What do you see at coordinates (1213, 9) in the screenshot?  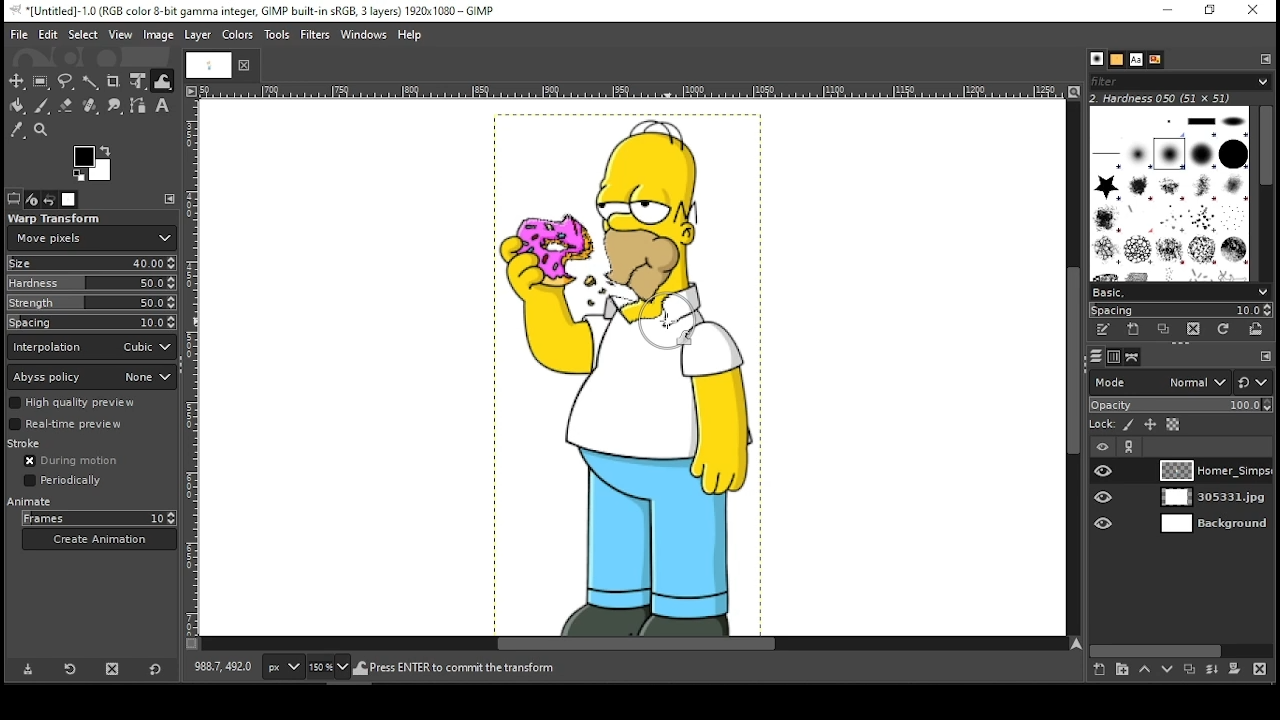 I see `restore` at bounding box center [1213, 9].